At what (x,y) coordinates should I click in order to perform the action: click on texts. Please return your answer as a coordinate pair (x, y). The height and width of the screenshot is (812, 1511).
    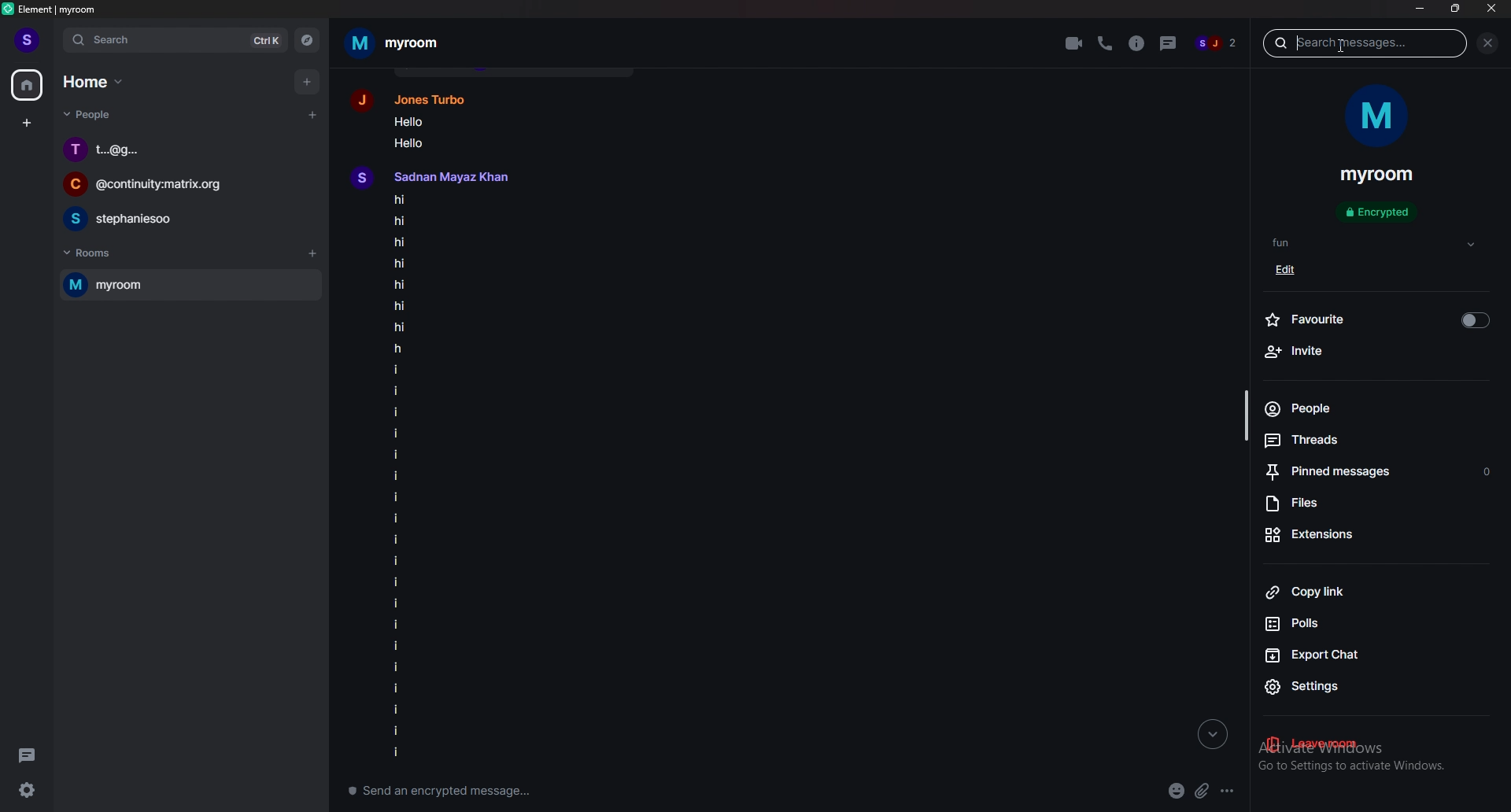
    Looking at the image, I should click on (451, 478).